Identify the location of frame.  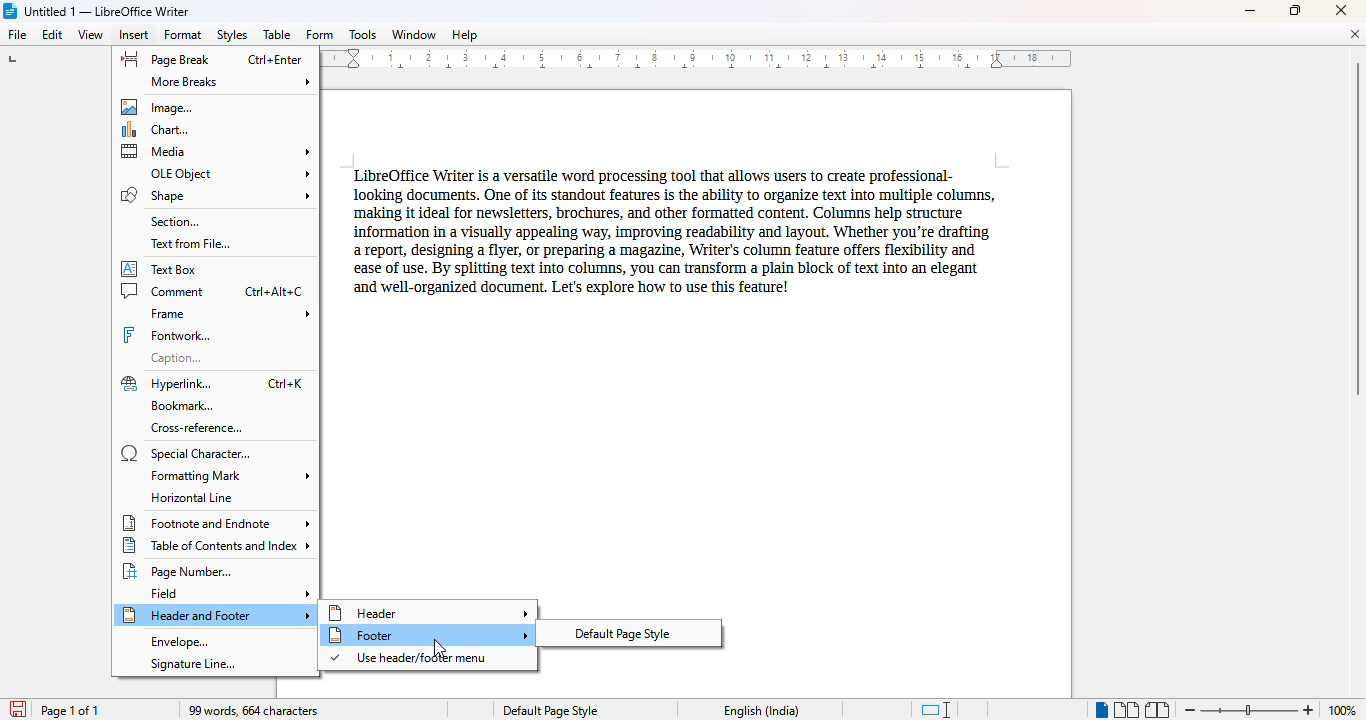
(229, 314).